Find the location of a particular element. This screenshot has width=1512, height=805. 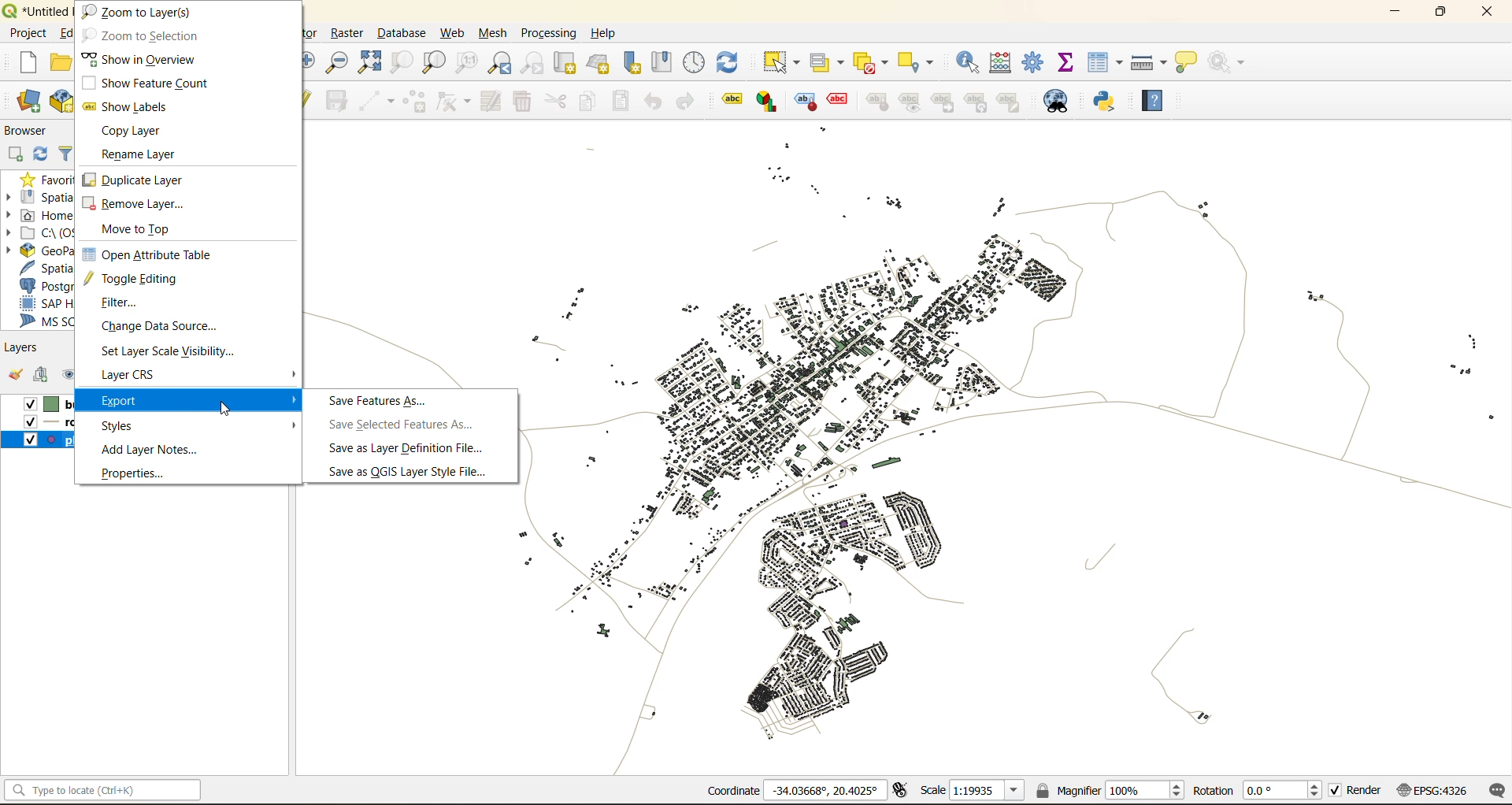

zoom full is located at coordinates (373, 63).